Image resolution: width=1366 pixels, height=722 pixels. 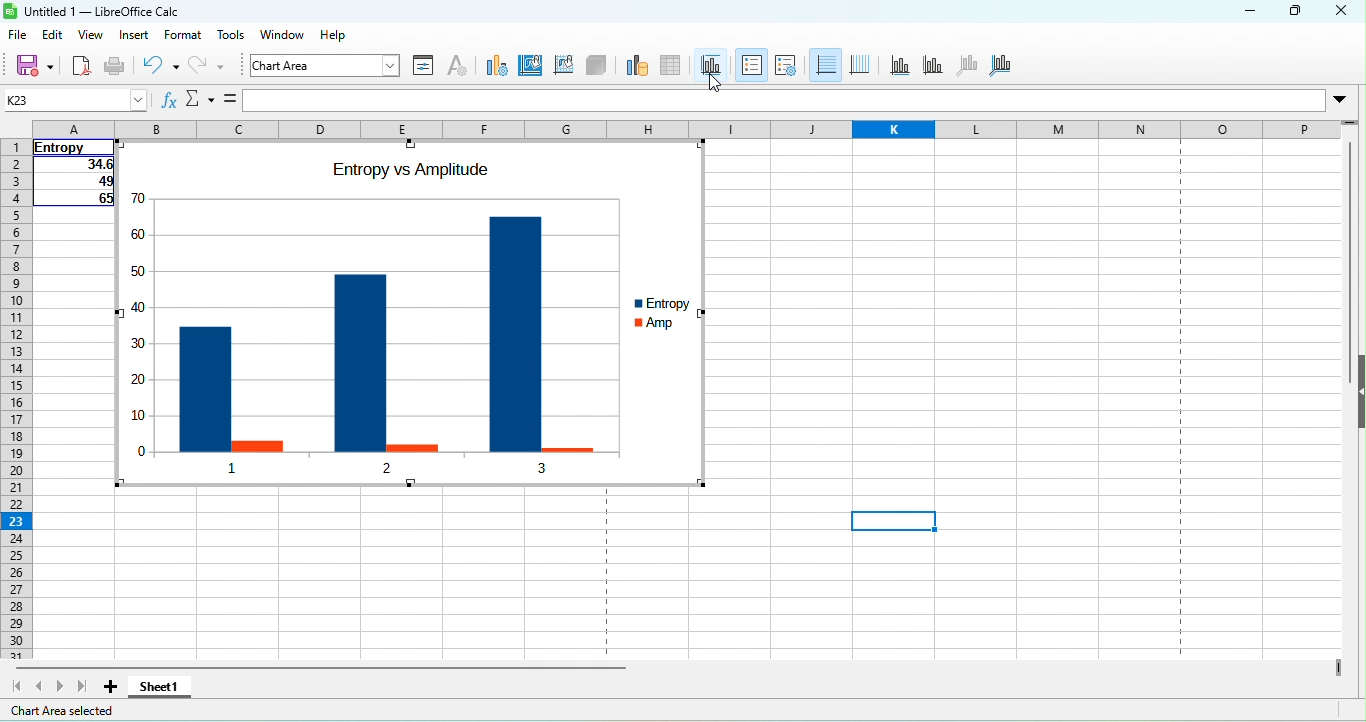 What do you see at coordinates (514, 321) in the screenshot?
I see `entropy 3` at bounding box center [514, 321].